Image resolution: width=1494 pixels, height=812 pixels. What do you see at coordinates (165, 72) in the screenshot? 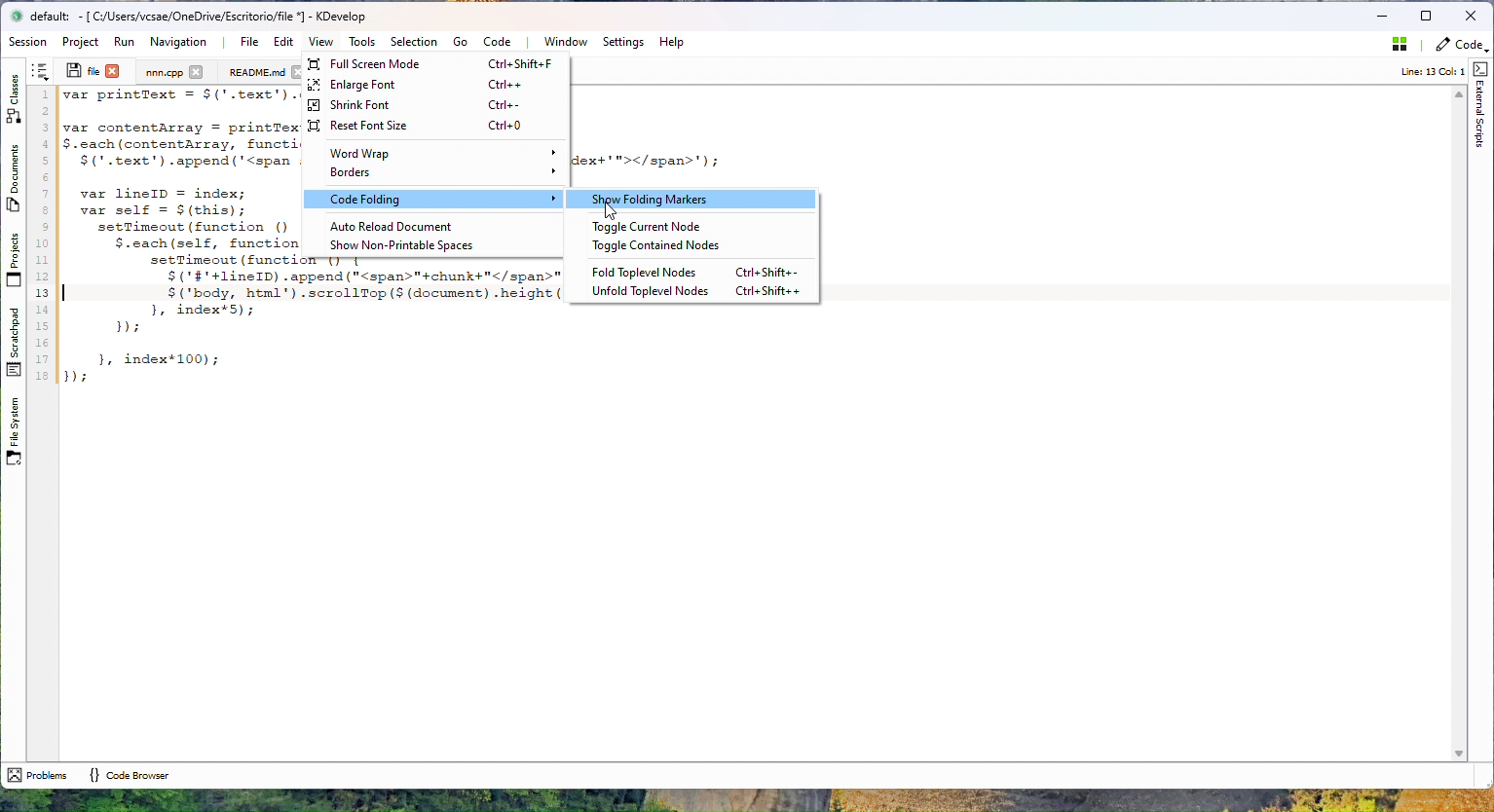
I see `Project` at bounding box center [165, 72].